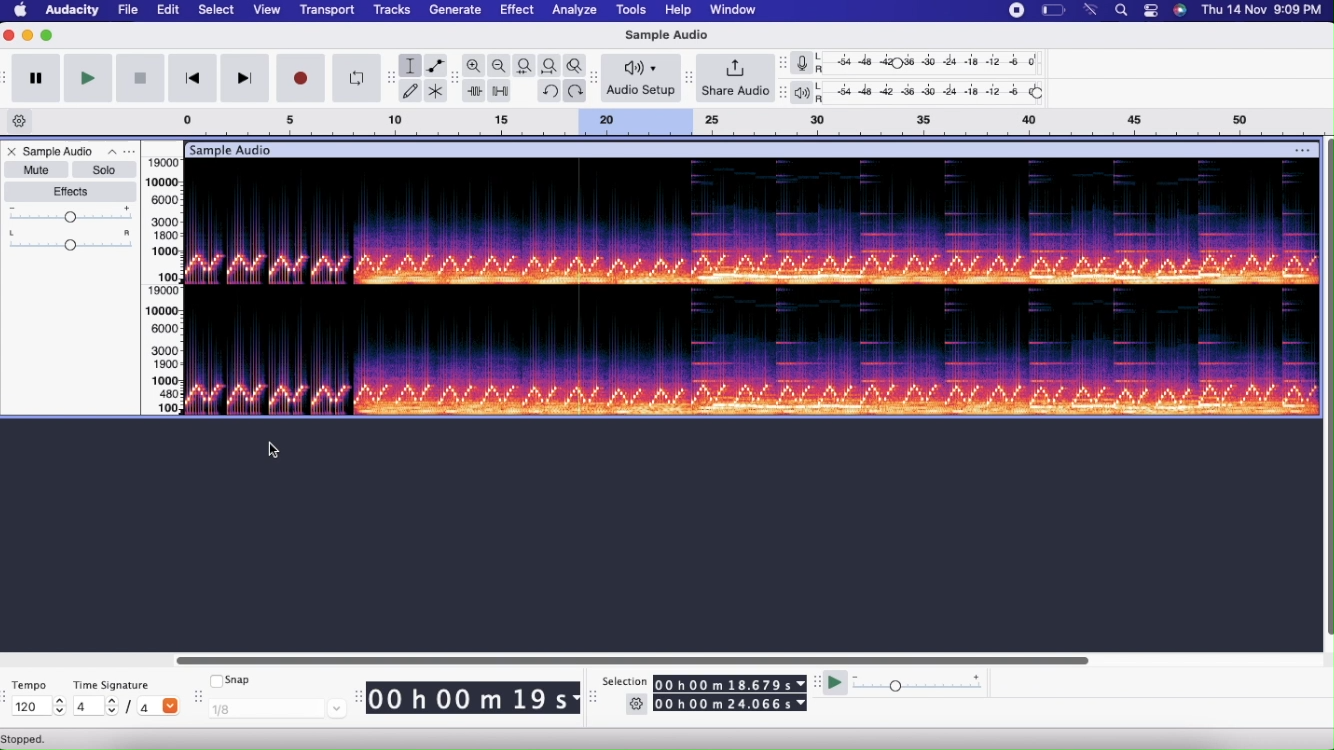  Describe the element at coordinates (940, 64) in the screenshot. I see `Recording level` at that location.